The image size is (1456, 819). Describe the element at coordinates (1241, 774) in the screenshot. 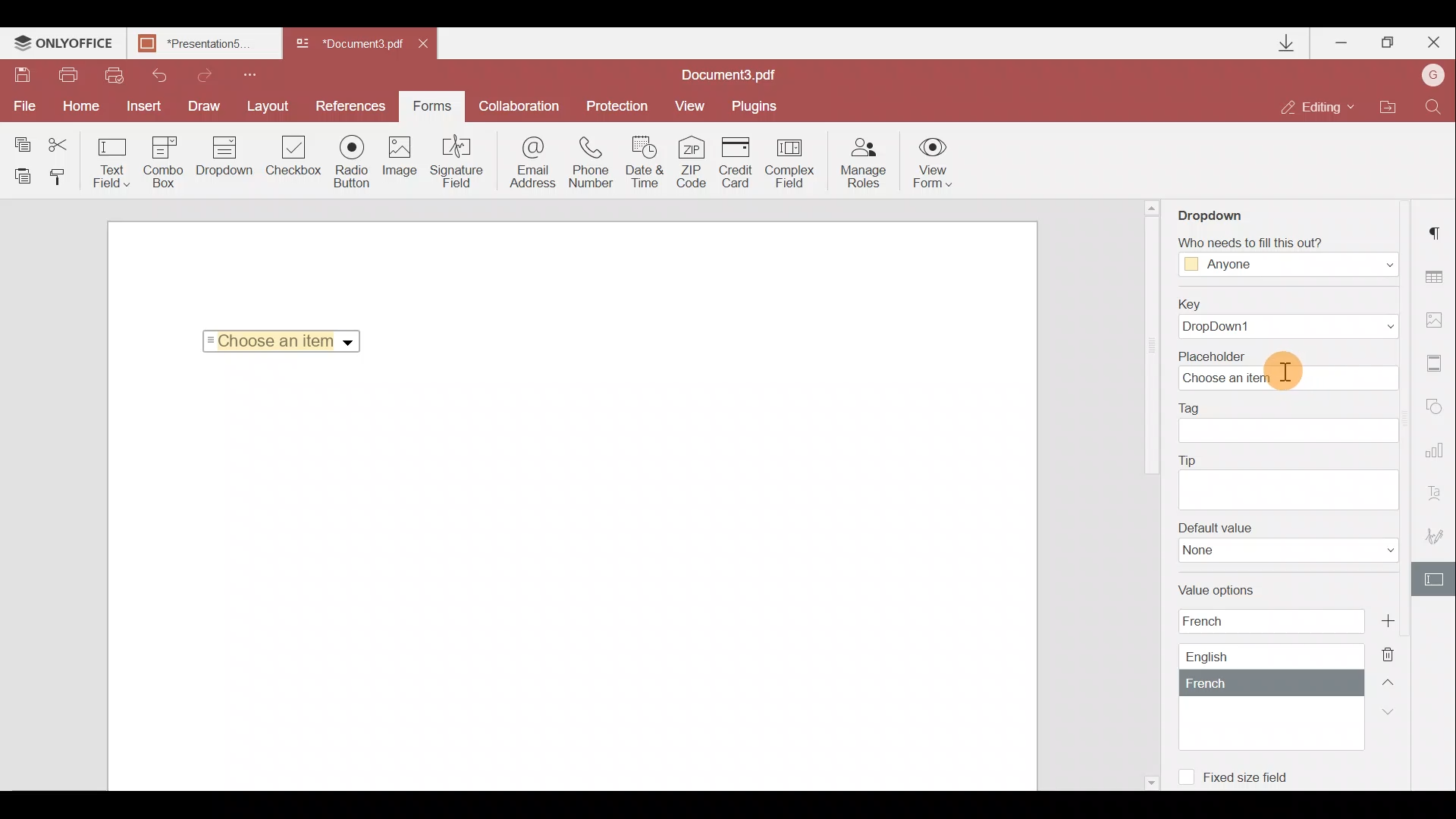

I see `Fixed size field` at that location.